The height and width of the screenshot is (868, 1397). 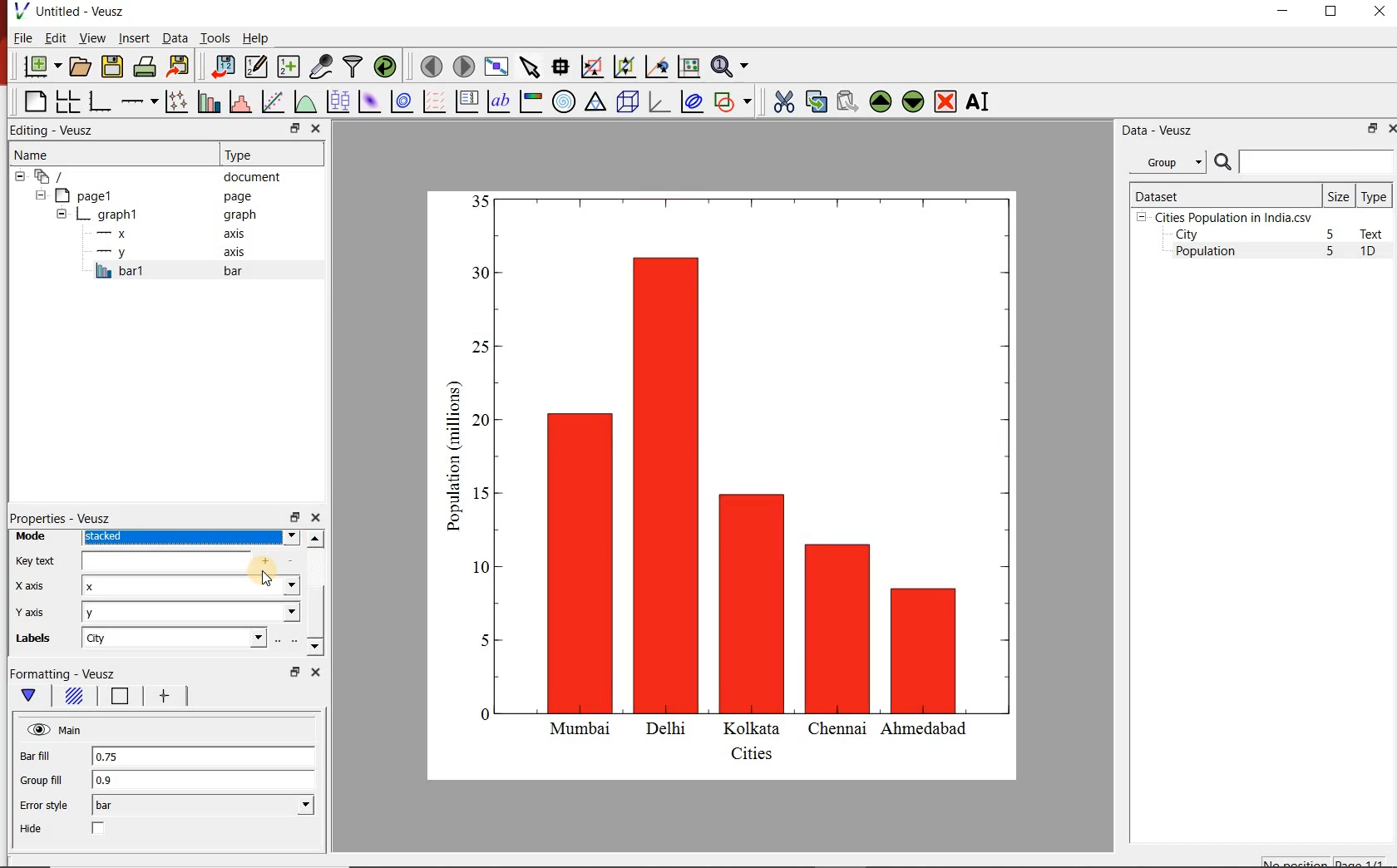 I want to click on plot a function, so click(x=304, y=101).